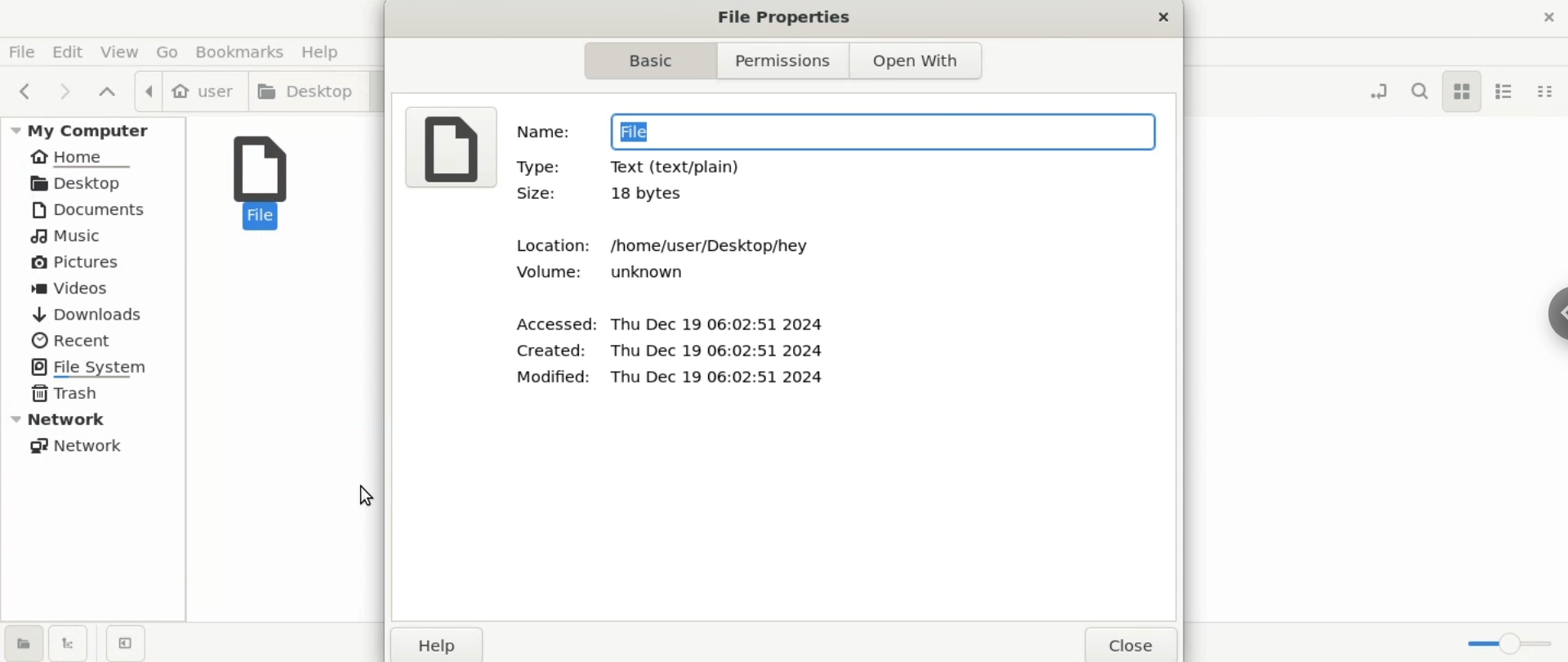 This screenshot has height=662, width=1568. Describe the element at coordinates (247, 51) in the screenshot. I see `bookmarks` at that location.